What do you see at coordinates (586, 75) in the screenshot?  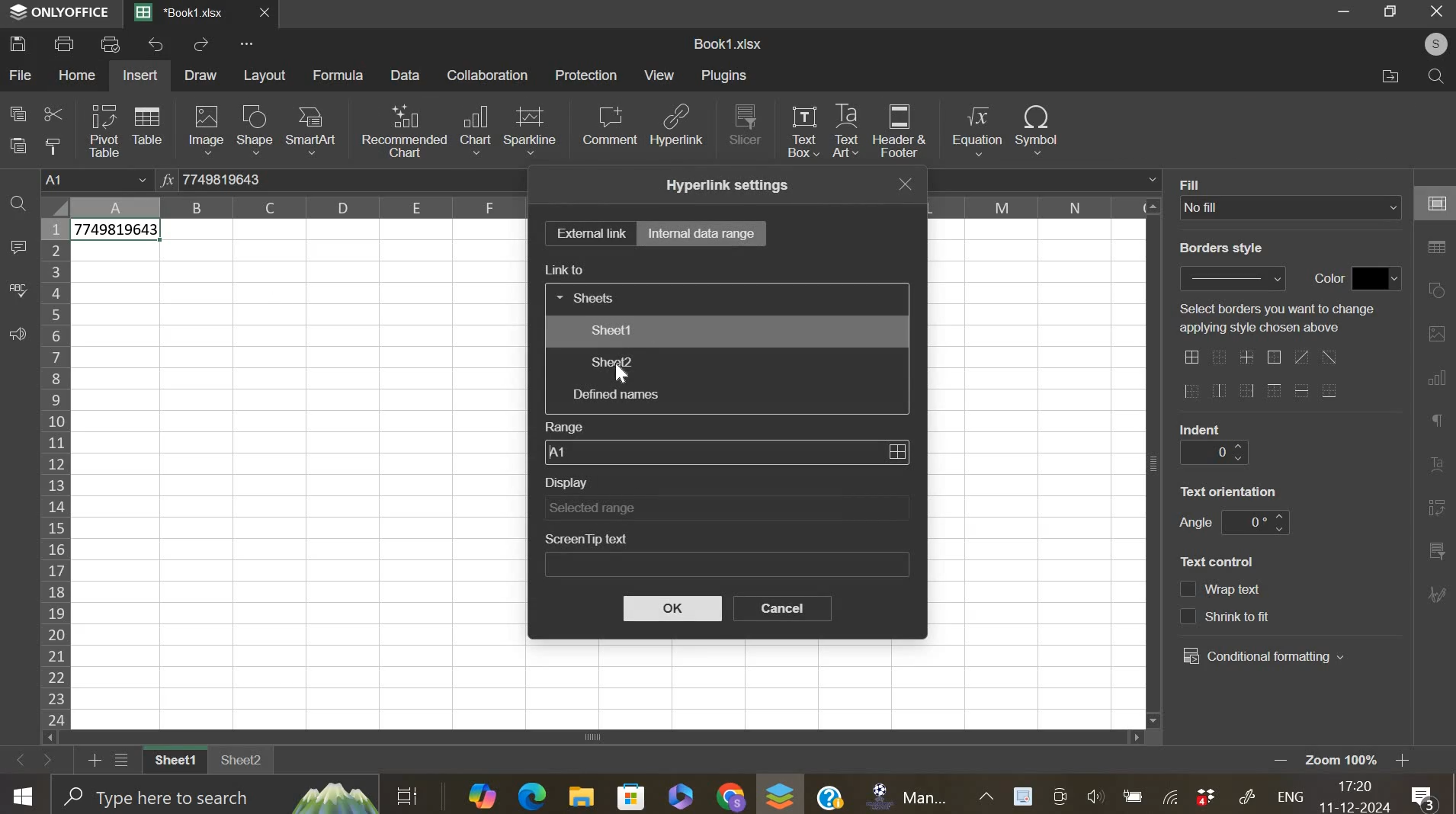 I see `protection` at bounding box center [586, 75].